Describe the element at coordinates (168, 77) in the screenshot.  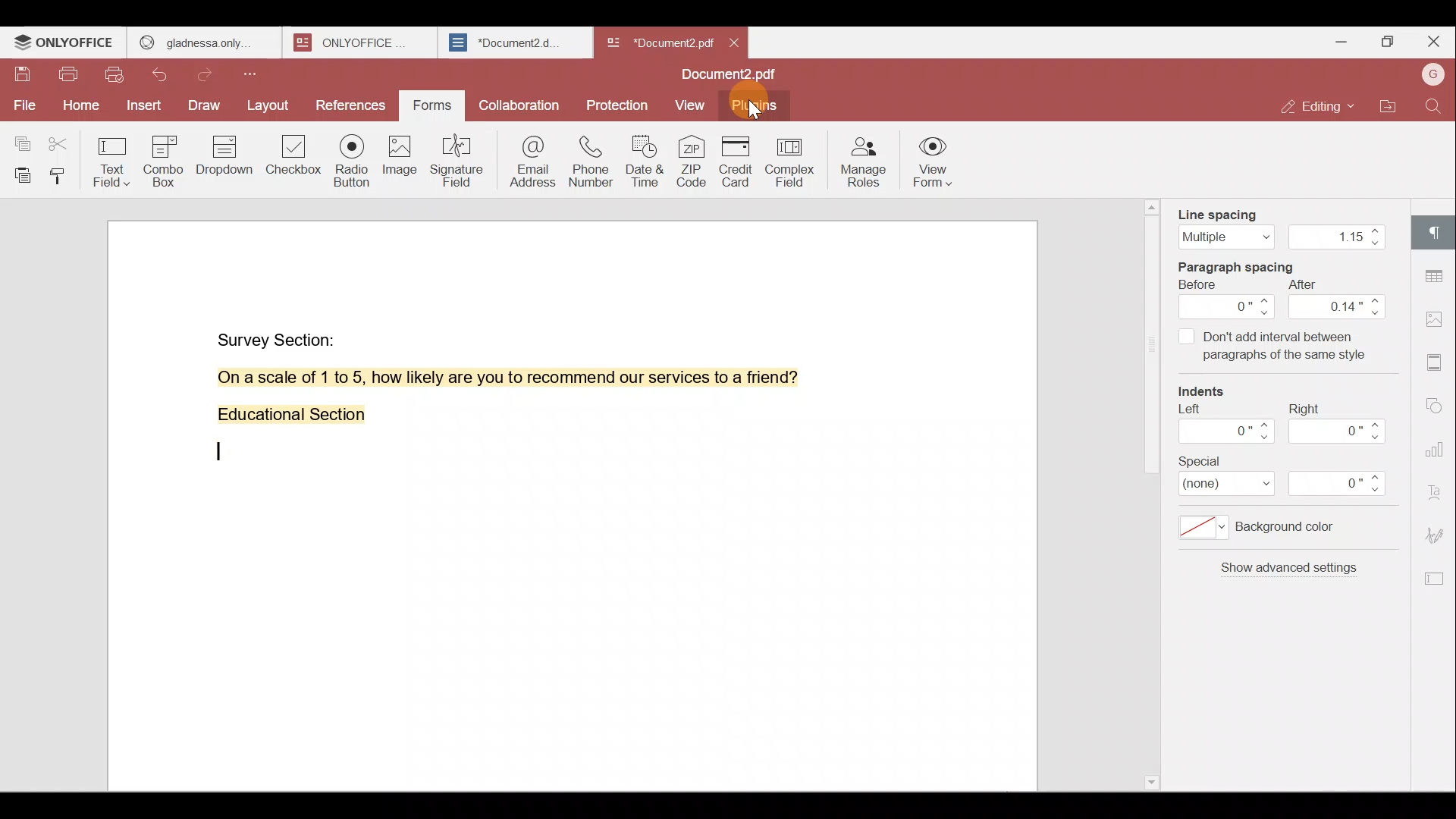
I see `Undo` at that location.